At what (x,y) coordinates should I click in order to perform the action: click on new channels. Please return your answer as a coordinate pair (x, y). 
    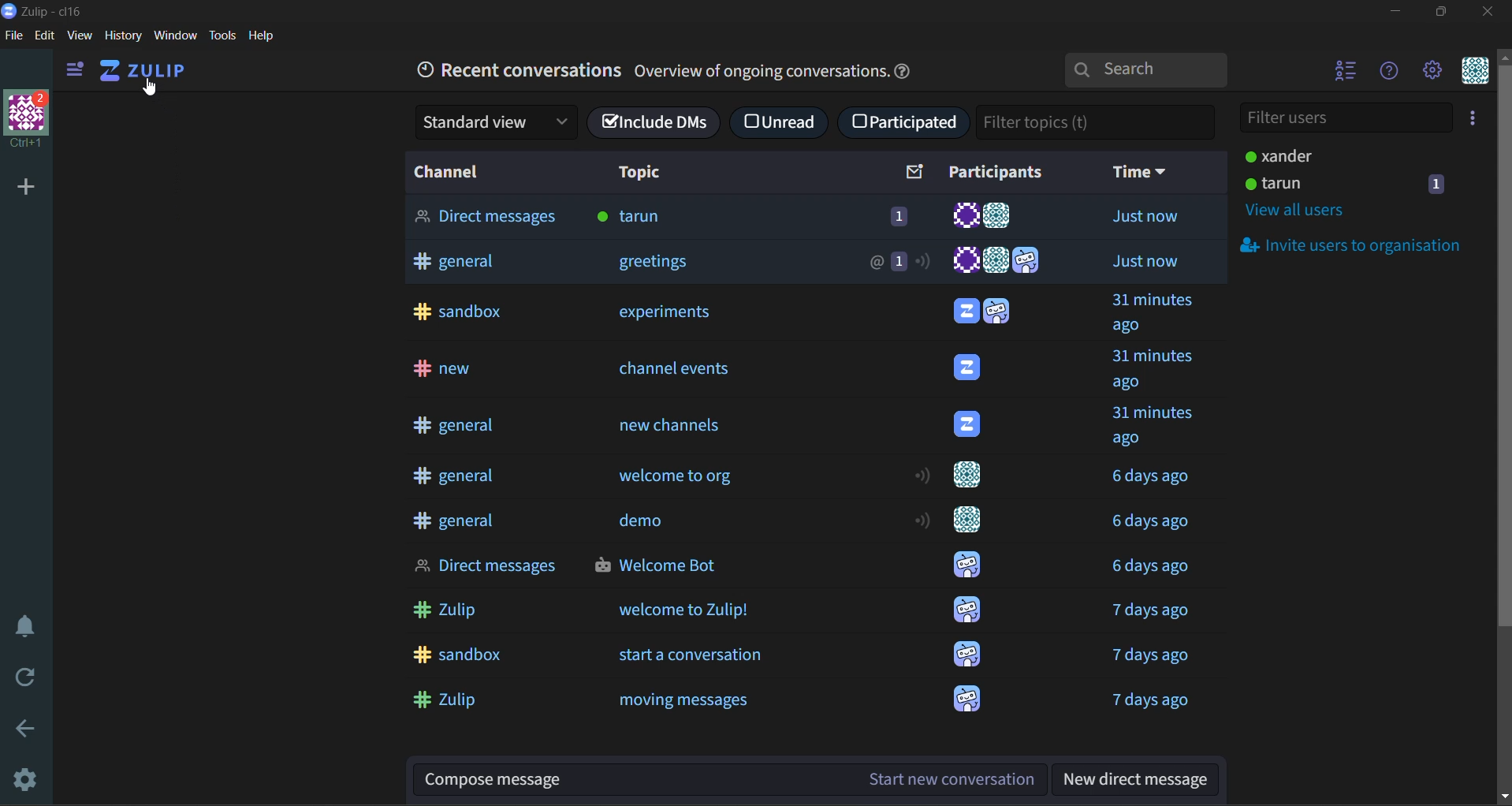
    Looking at the image, I should click on (674, 427).